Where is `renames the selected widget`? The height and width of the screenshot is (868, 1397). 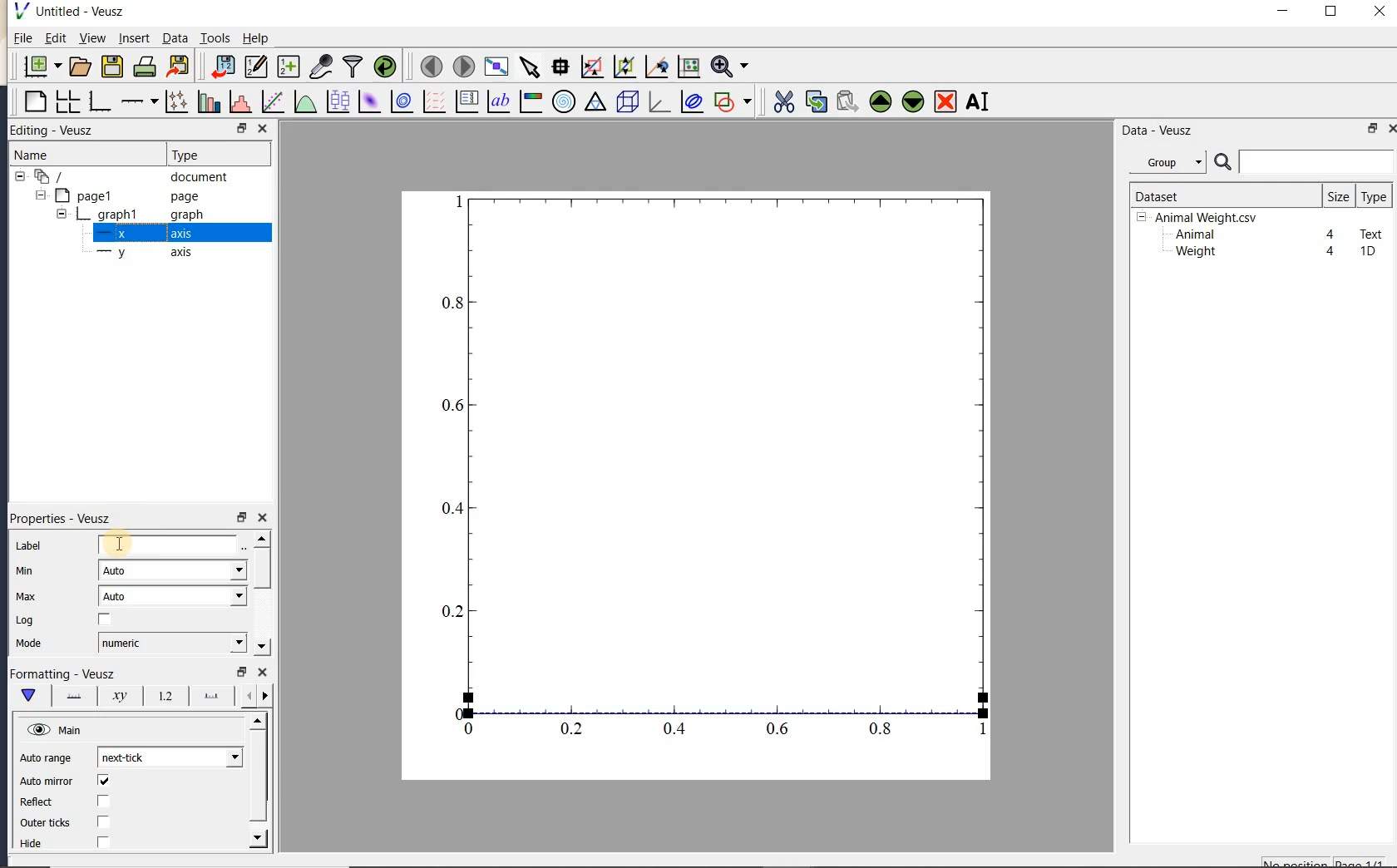 renames the selected widget is located at coordinates (976, 101).